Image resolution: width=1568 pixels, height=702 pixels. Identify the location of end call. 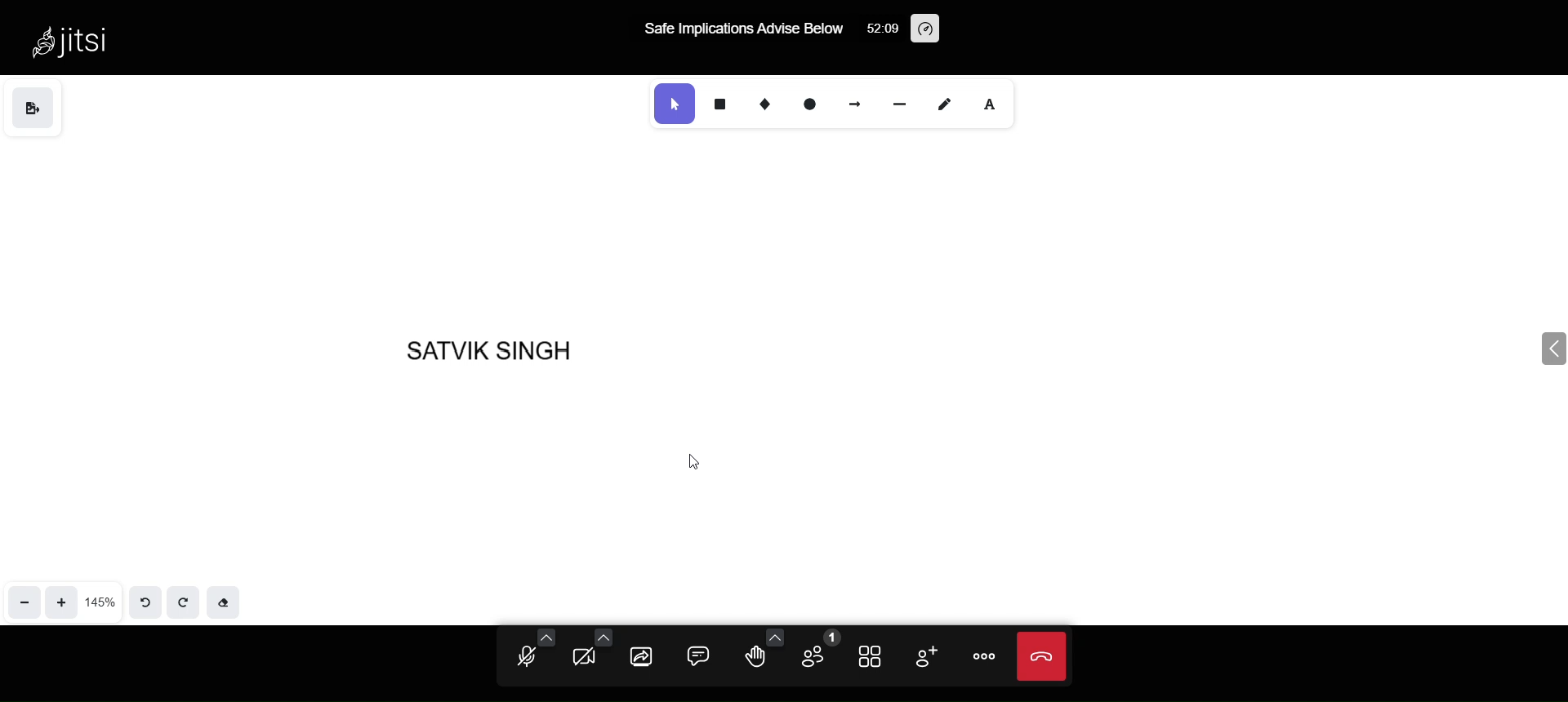
(1039, 659).